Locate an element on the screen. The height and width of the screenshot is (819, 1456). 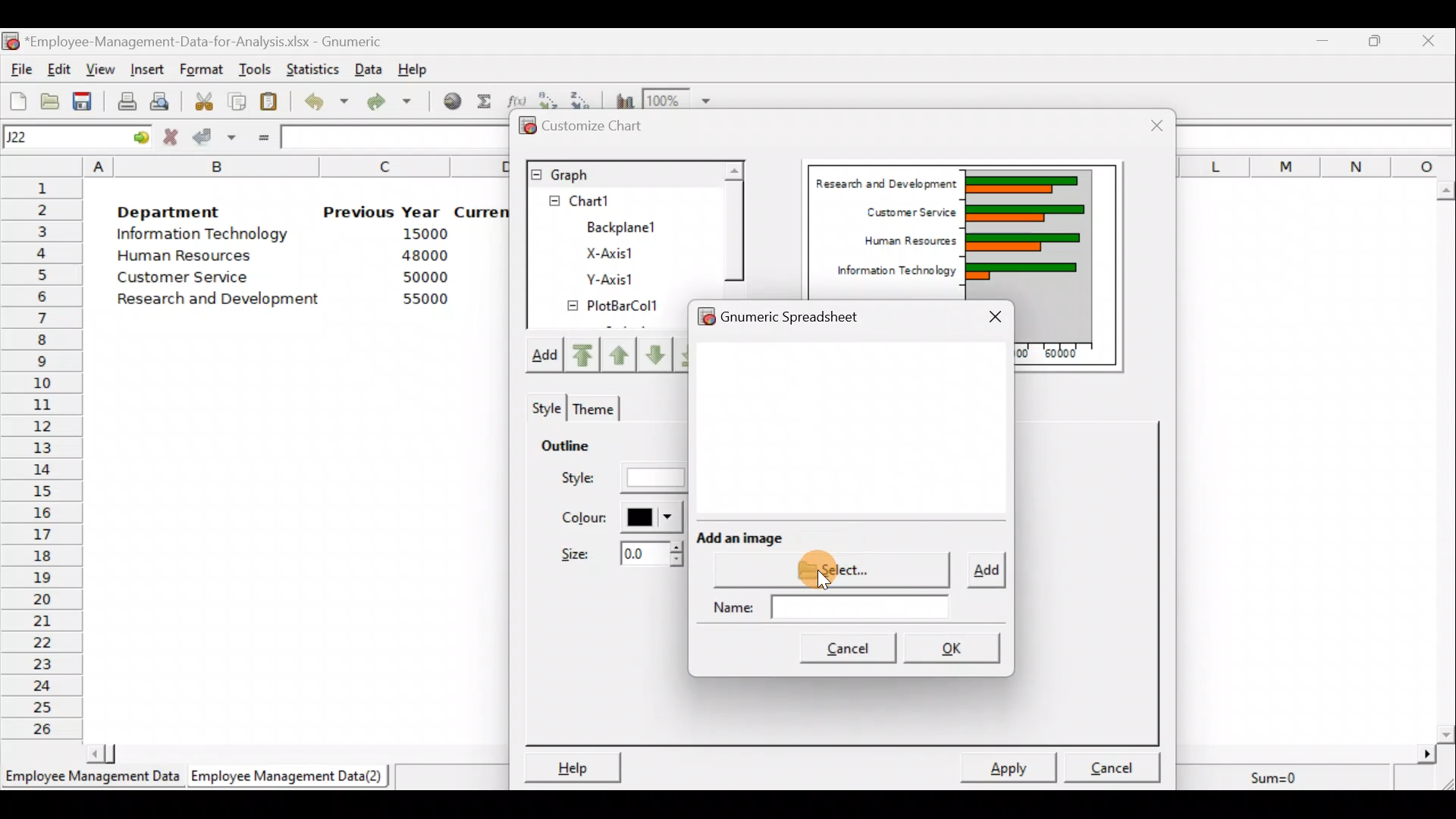
Save the current workbook is located at coordinates (83, 99).